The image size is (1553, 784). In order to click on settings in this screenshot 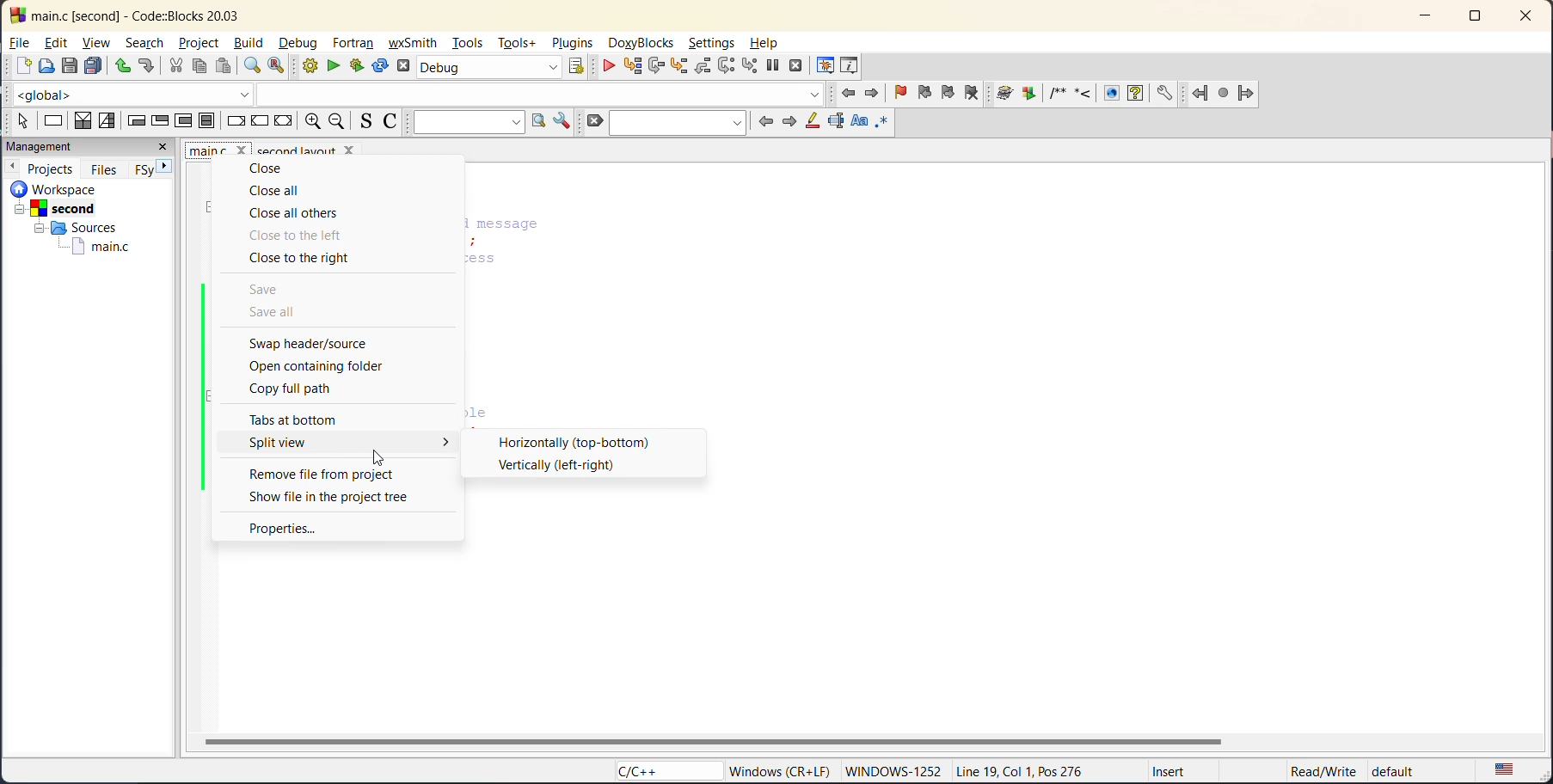, I will do `click(712, 44)`.